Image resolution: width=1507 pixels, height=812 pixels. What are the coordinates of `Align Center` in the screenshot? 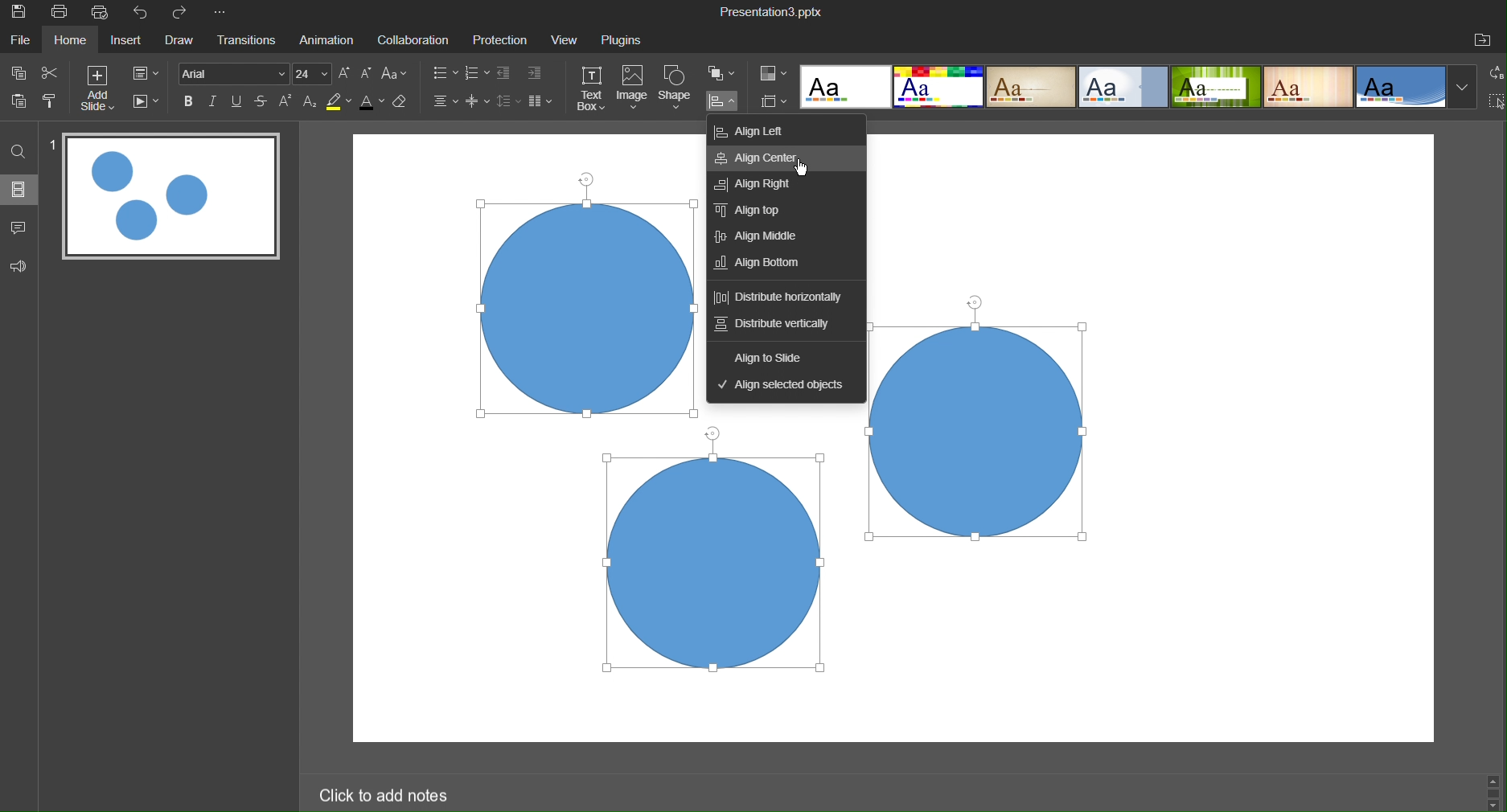 It's located at (762, 161).